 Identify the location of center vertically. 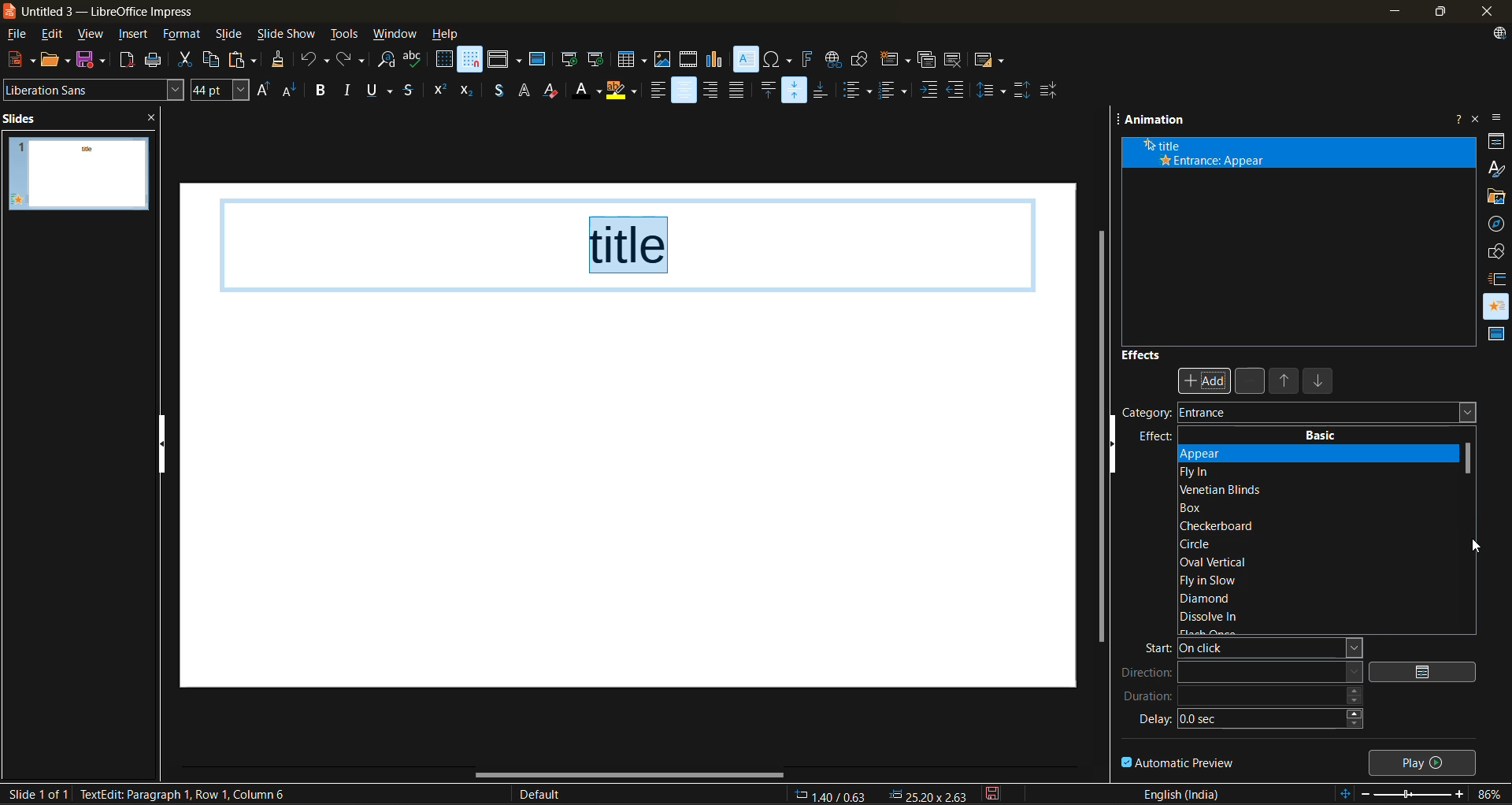
(796, 89).